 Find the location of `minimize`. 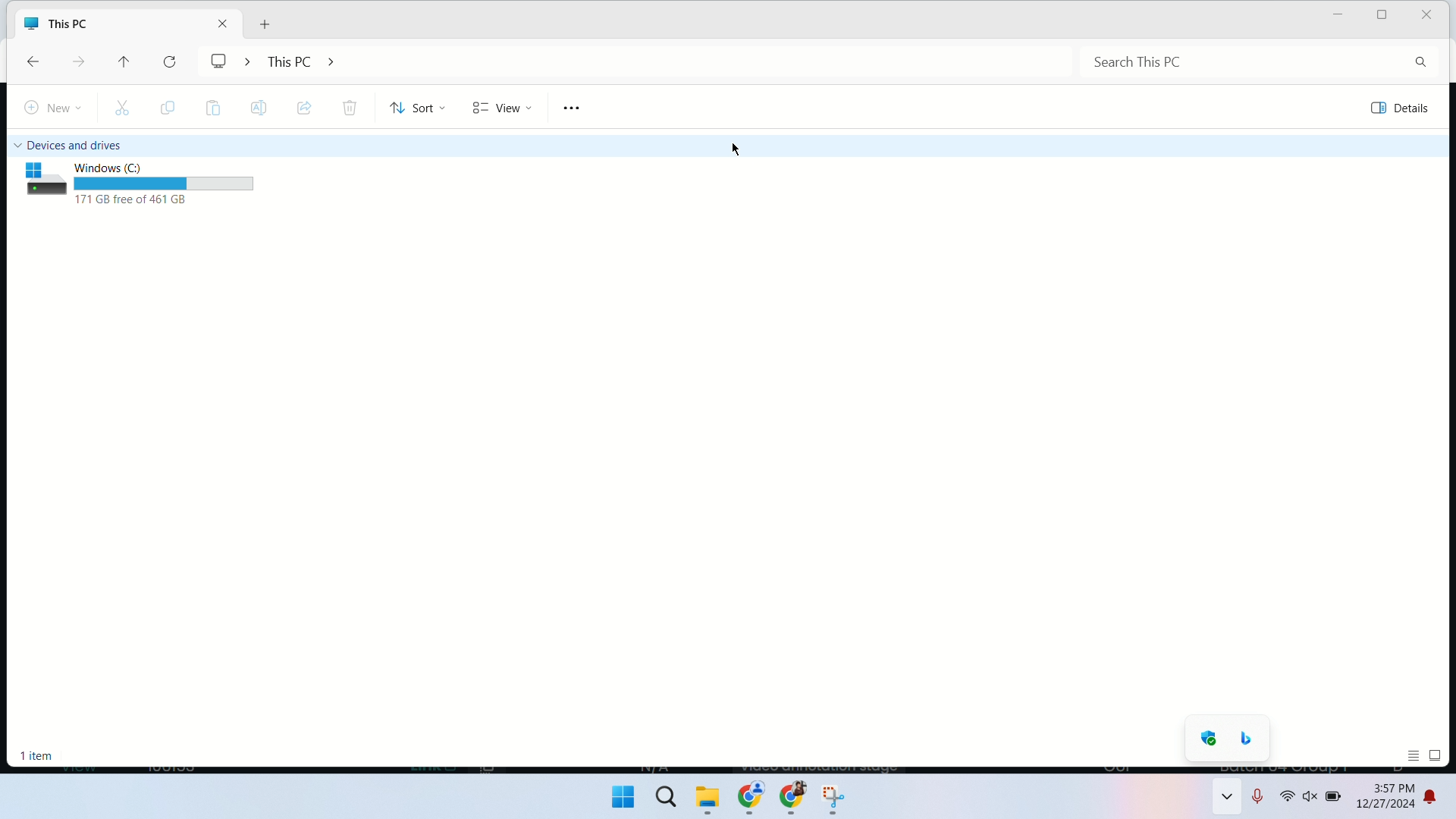

minimize is located at coordinates (1344, 11).